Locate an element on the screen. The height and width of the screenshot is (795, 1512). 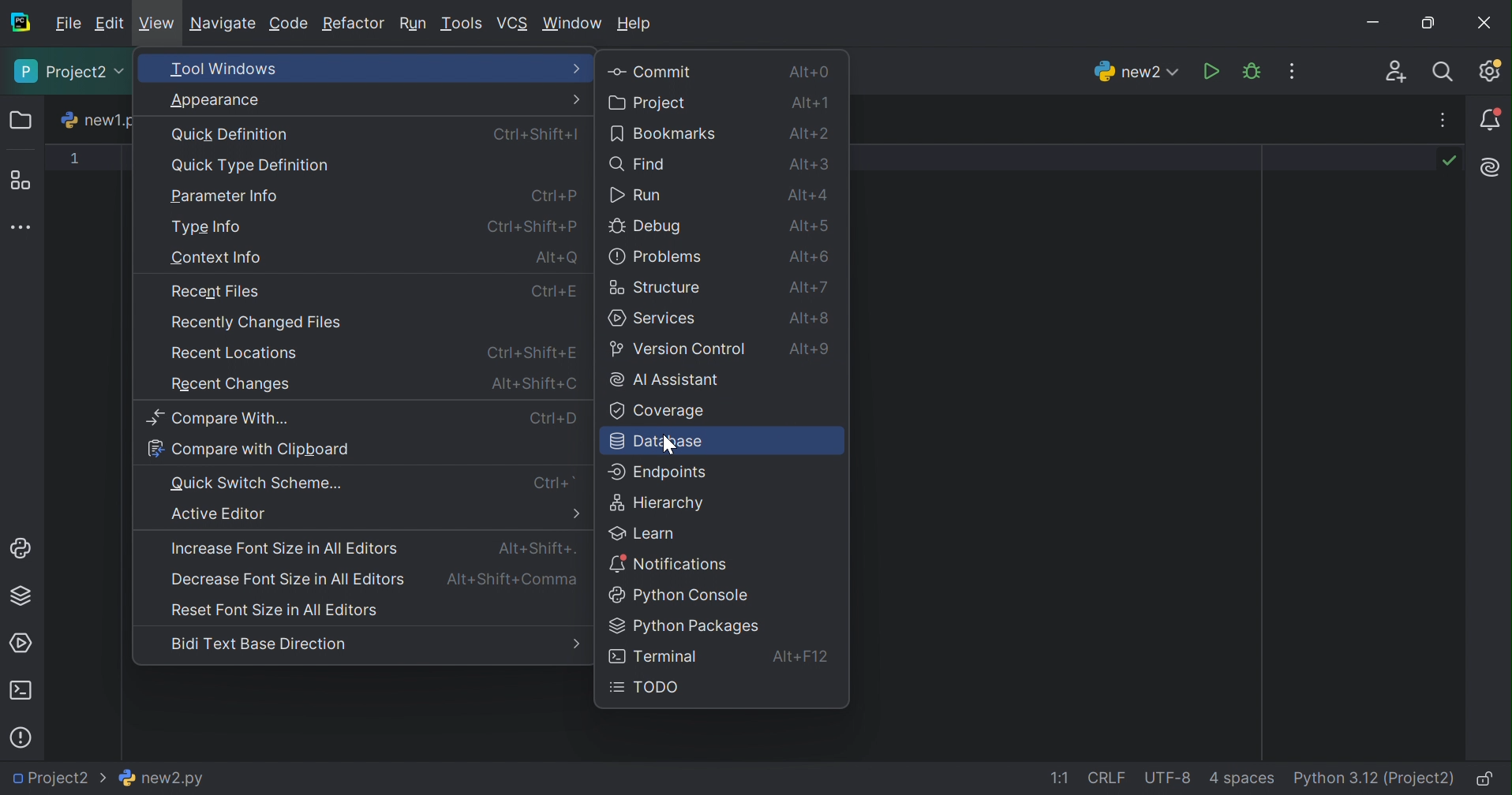
More actions is located at coordinates (1286, 72).